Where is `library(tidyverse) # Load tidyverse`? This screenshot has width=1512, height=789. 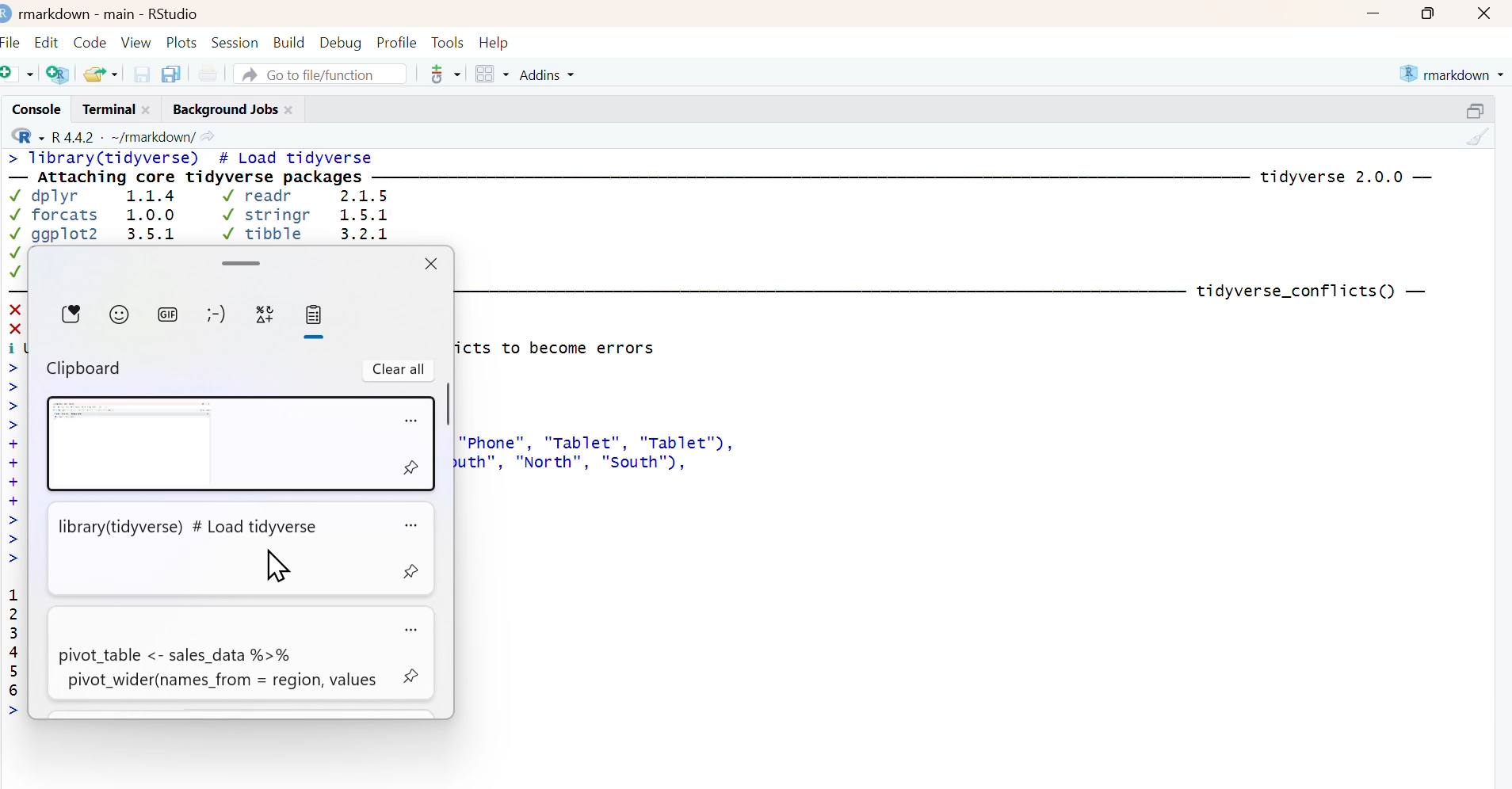 library(tidyverse) # Load tidyverse is located at coordinates (216, 550).